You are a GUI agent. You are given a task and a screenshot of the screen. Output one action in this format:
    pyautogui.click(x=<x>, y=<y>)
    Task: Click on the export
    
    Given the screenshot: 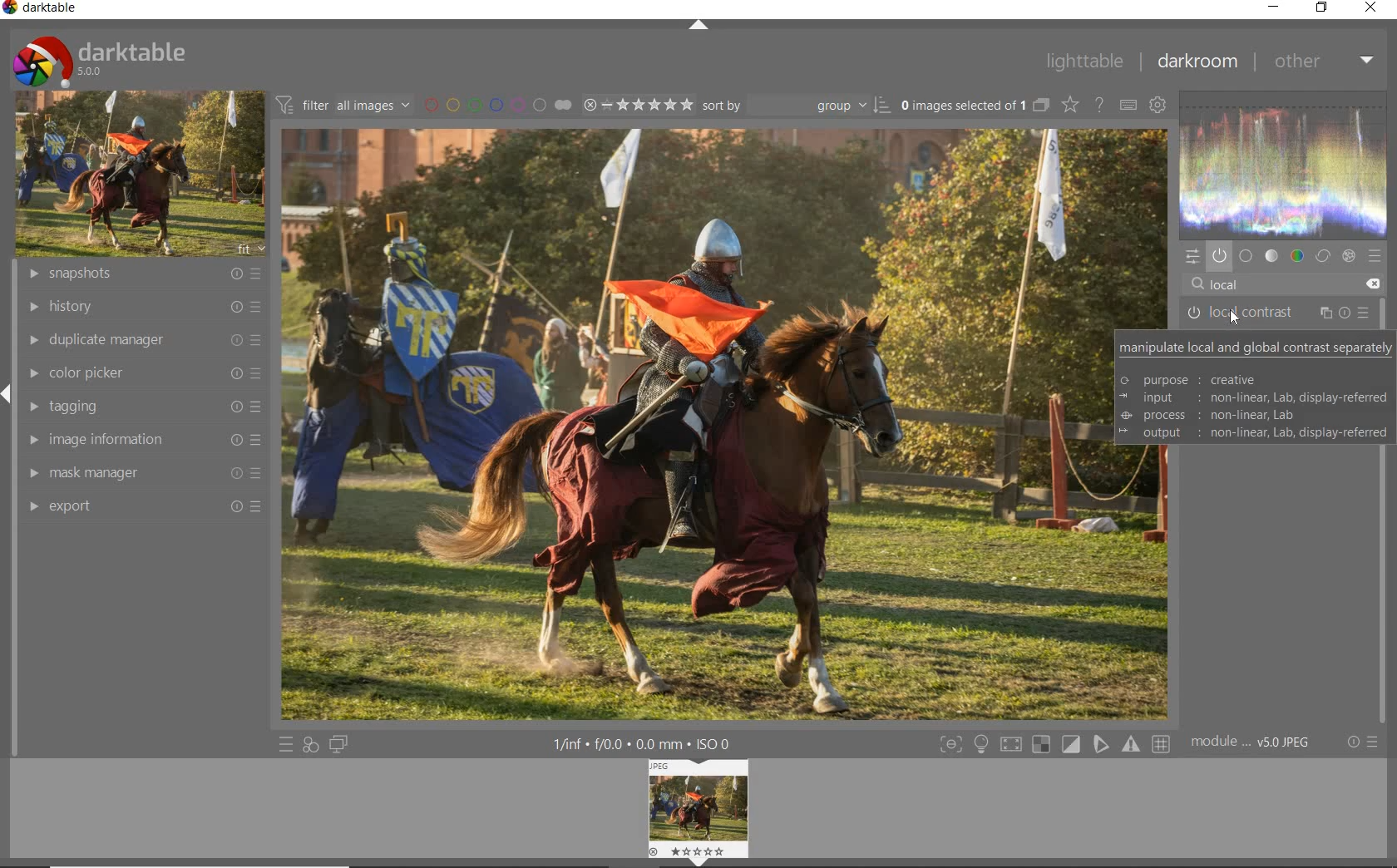 What is the action you would take?
    pyautogui.click(x=140, y=506)
    